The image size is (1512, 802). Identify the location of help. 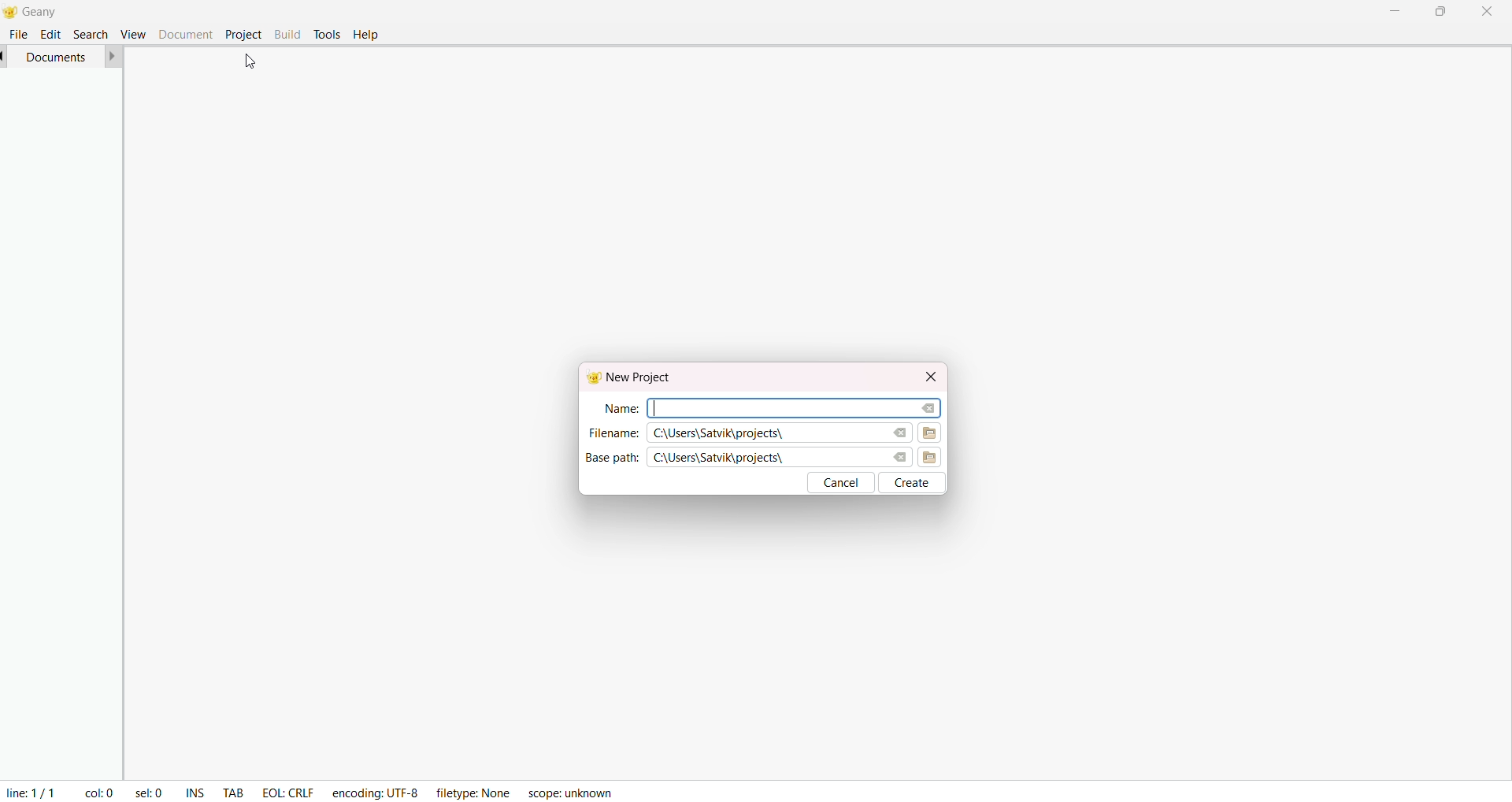
(367, 35).